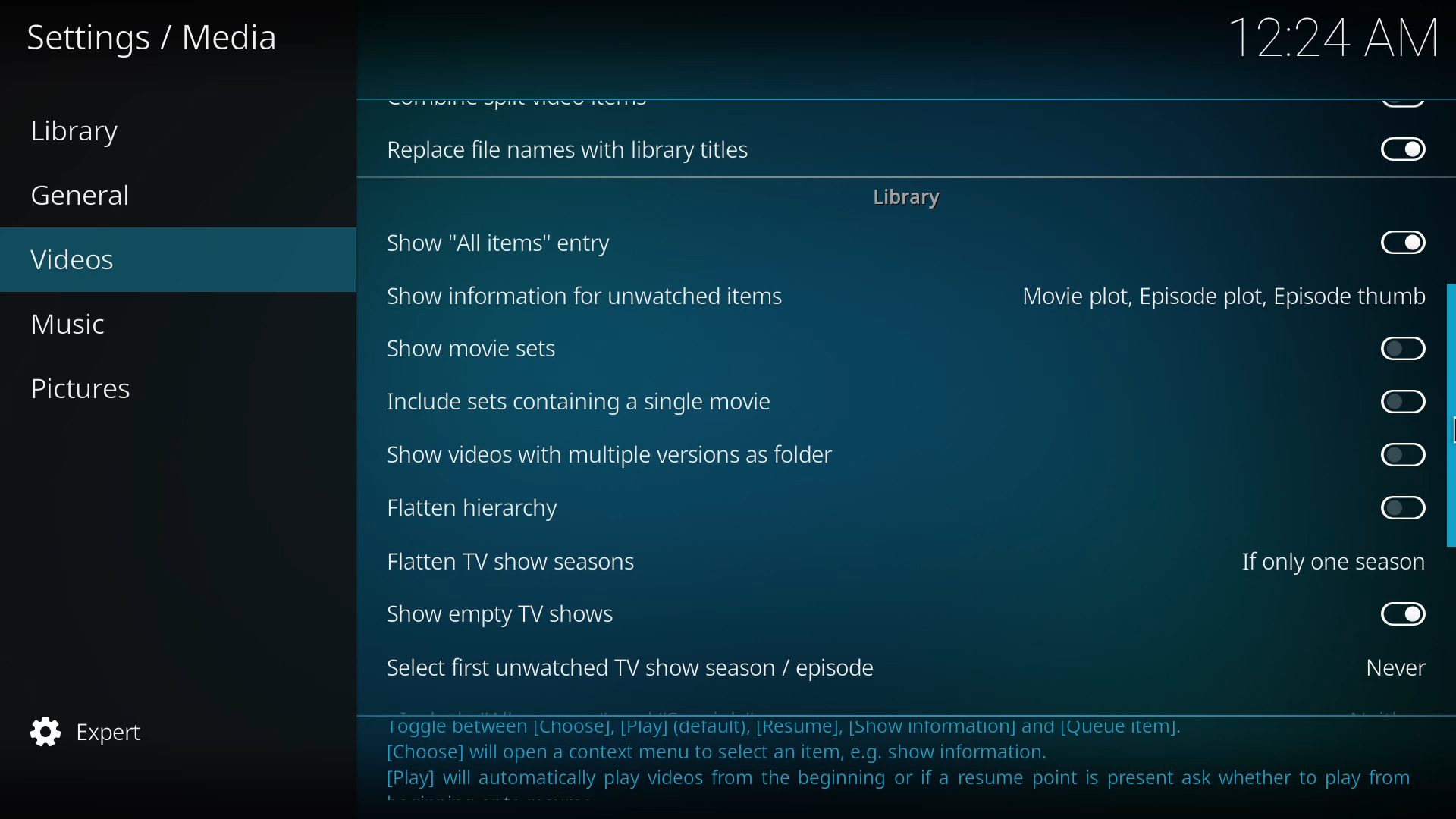  I want to click on show videos with multiple versions, so click(608, 454).